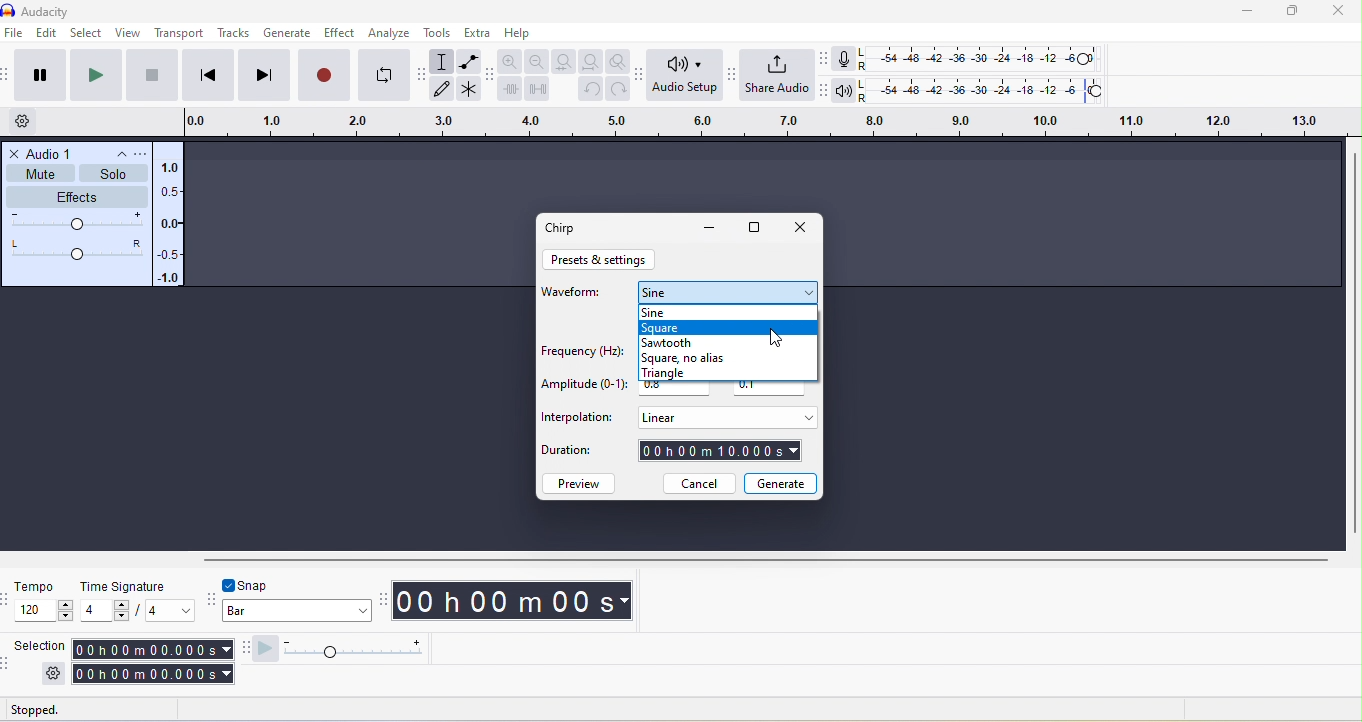  Describe the element at coordinates (9, 662) in the screenshot. I see `audacity selection toolbar` at that location.